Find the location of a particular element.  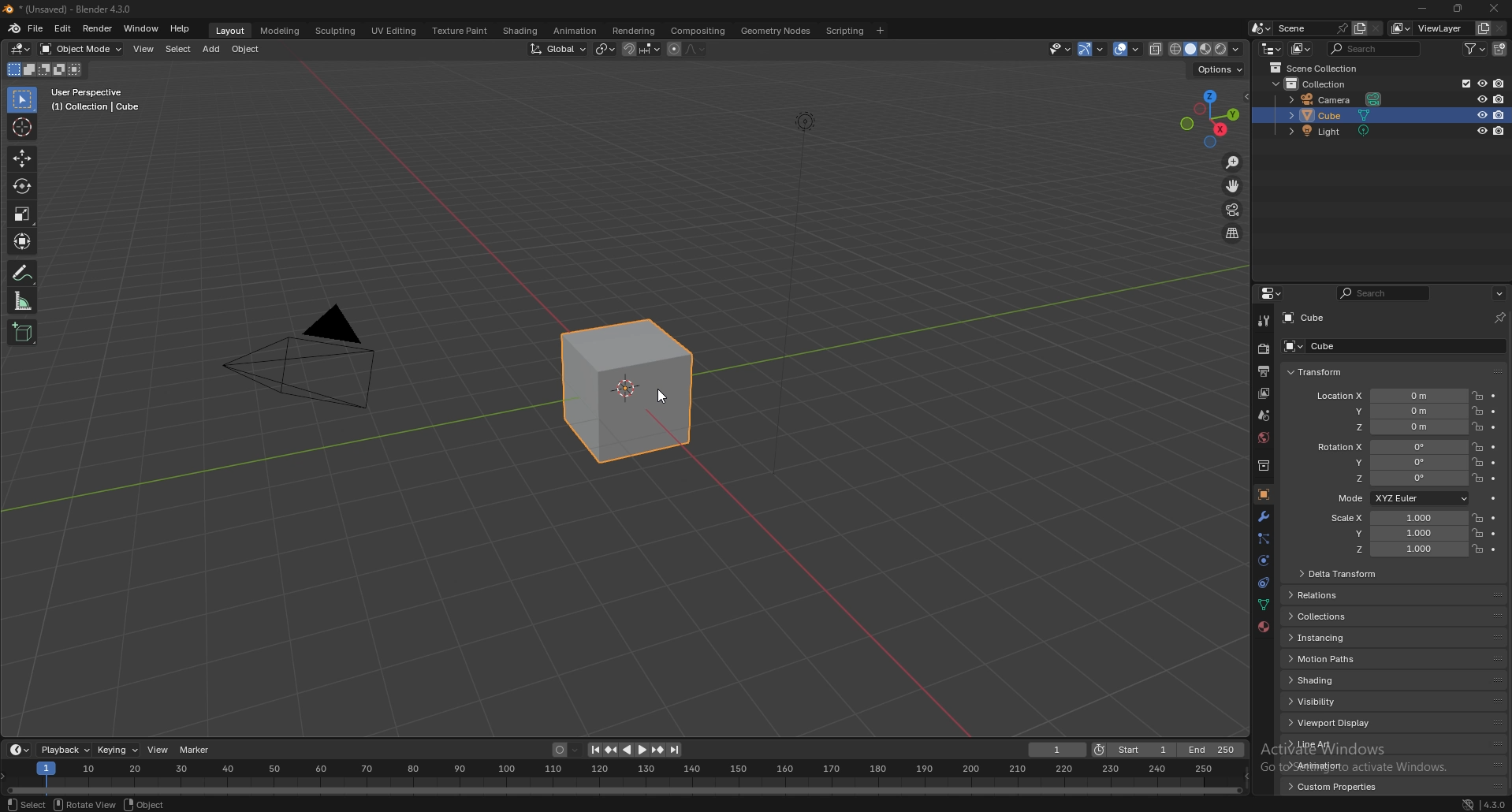

hide in viewport is located at coordinates (1481, 130).